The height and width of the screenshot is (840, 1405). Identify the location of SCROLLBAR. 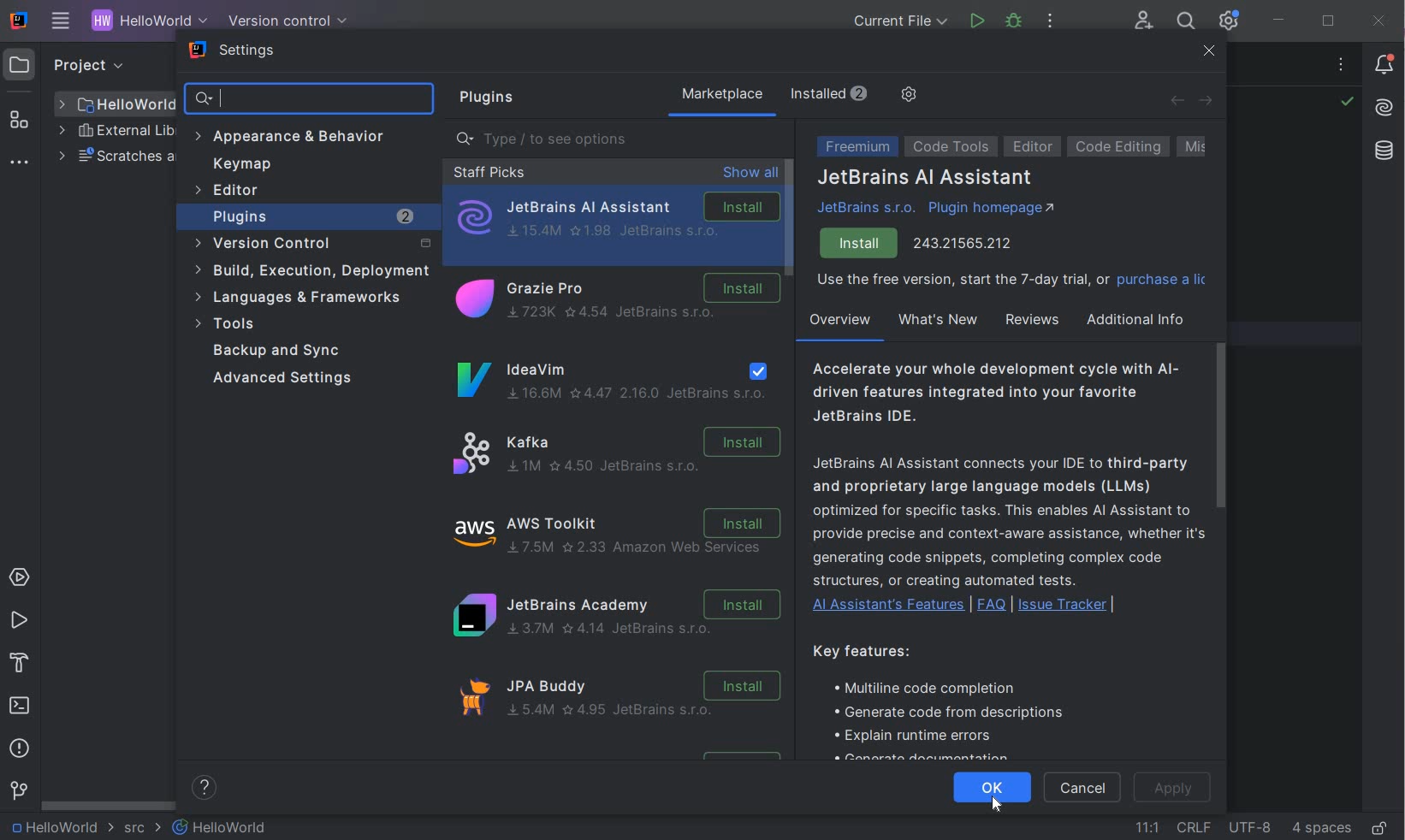
(104, 805).